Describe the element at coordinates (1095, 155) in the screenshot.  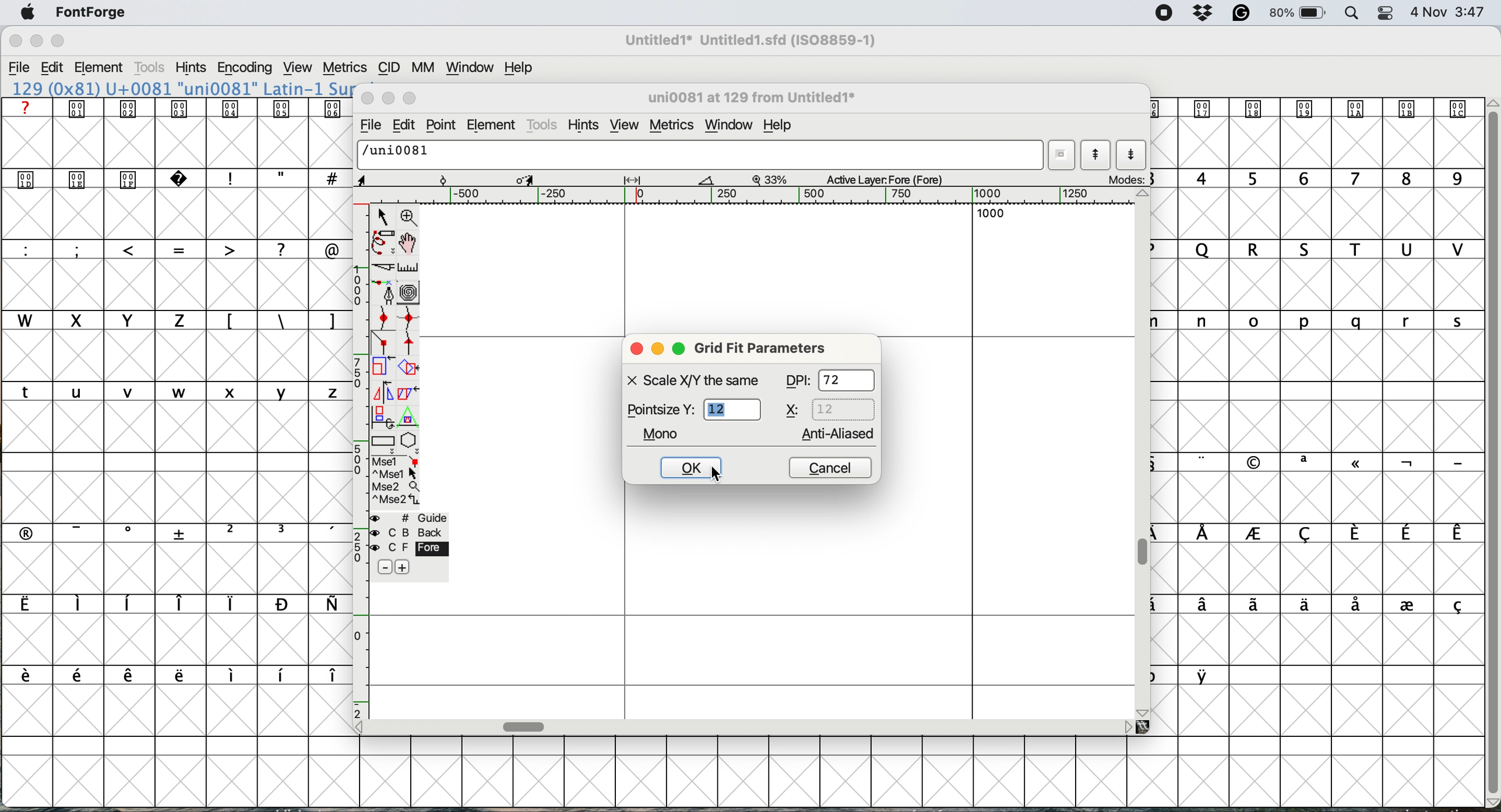
I see `show previous letter` at that location.